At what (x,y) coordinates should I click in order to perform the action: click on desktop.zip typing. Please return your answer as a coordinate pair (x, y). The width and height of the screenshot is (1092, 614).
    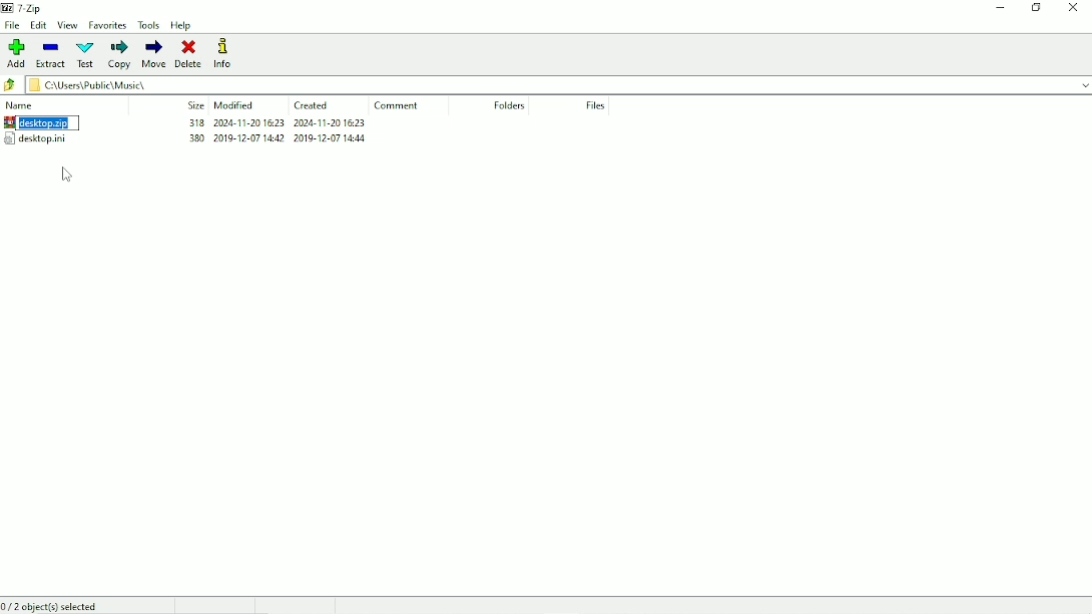
    Looking at the image, I should click on (40, 123).